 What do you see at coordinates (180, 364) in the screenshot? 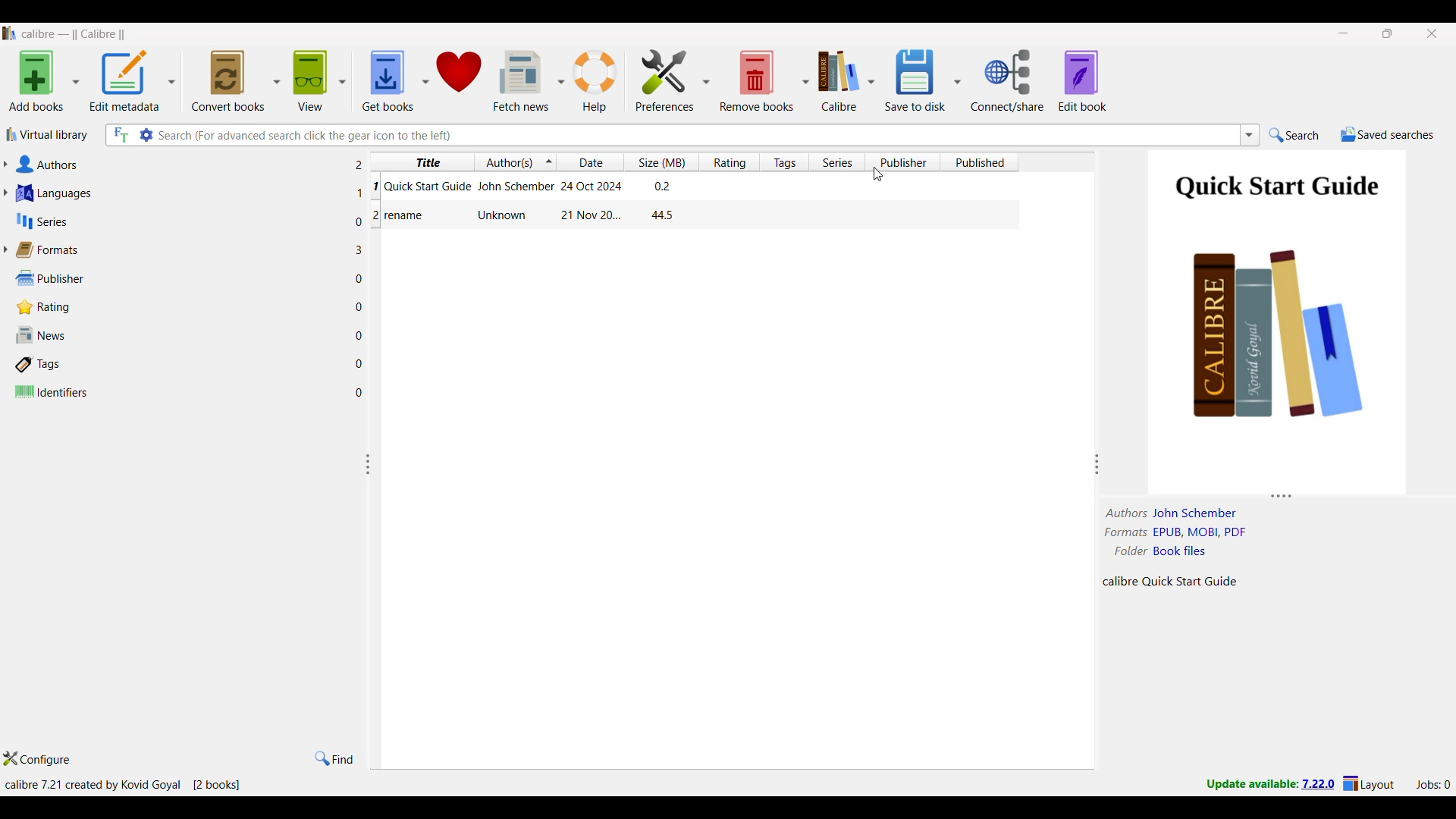
I see `Tags` at bounding box center [180, 364].